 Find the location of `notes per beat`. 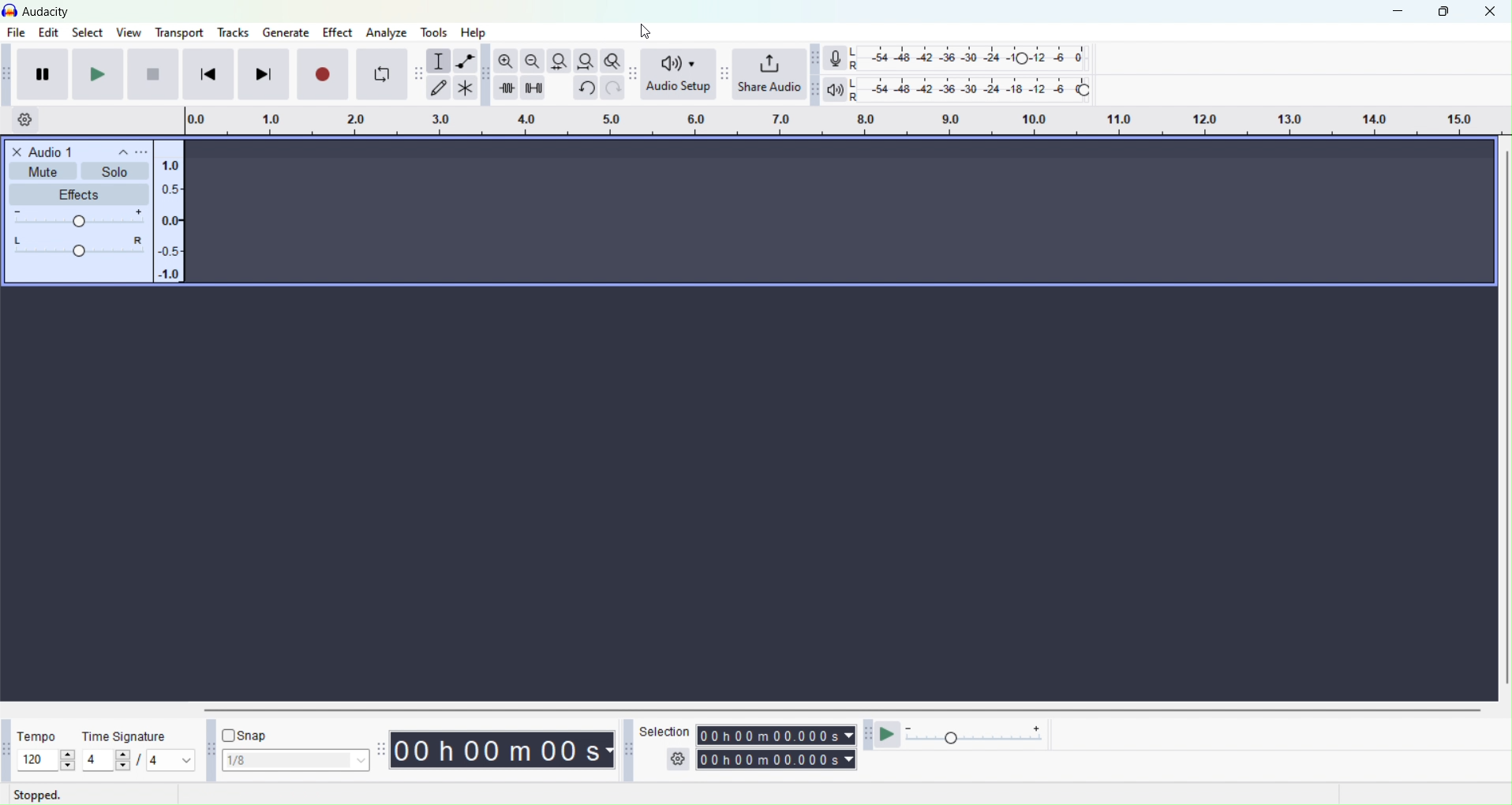

notes per beat is located at coordinates (171, 759).